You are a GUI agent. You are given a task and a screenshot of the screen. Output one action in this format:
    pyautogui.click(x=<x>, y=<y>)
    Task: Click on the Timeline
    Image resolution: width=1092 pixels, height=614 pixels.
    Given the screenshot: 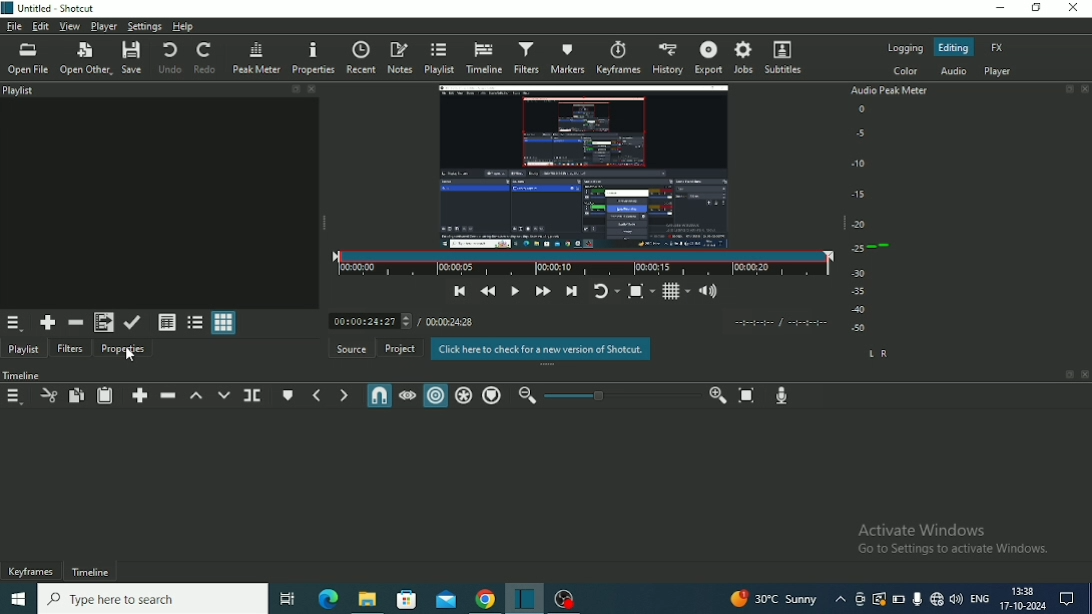 What is the action you would take?
    pyautogui.click(x=23, y=375)
    